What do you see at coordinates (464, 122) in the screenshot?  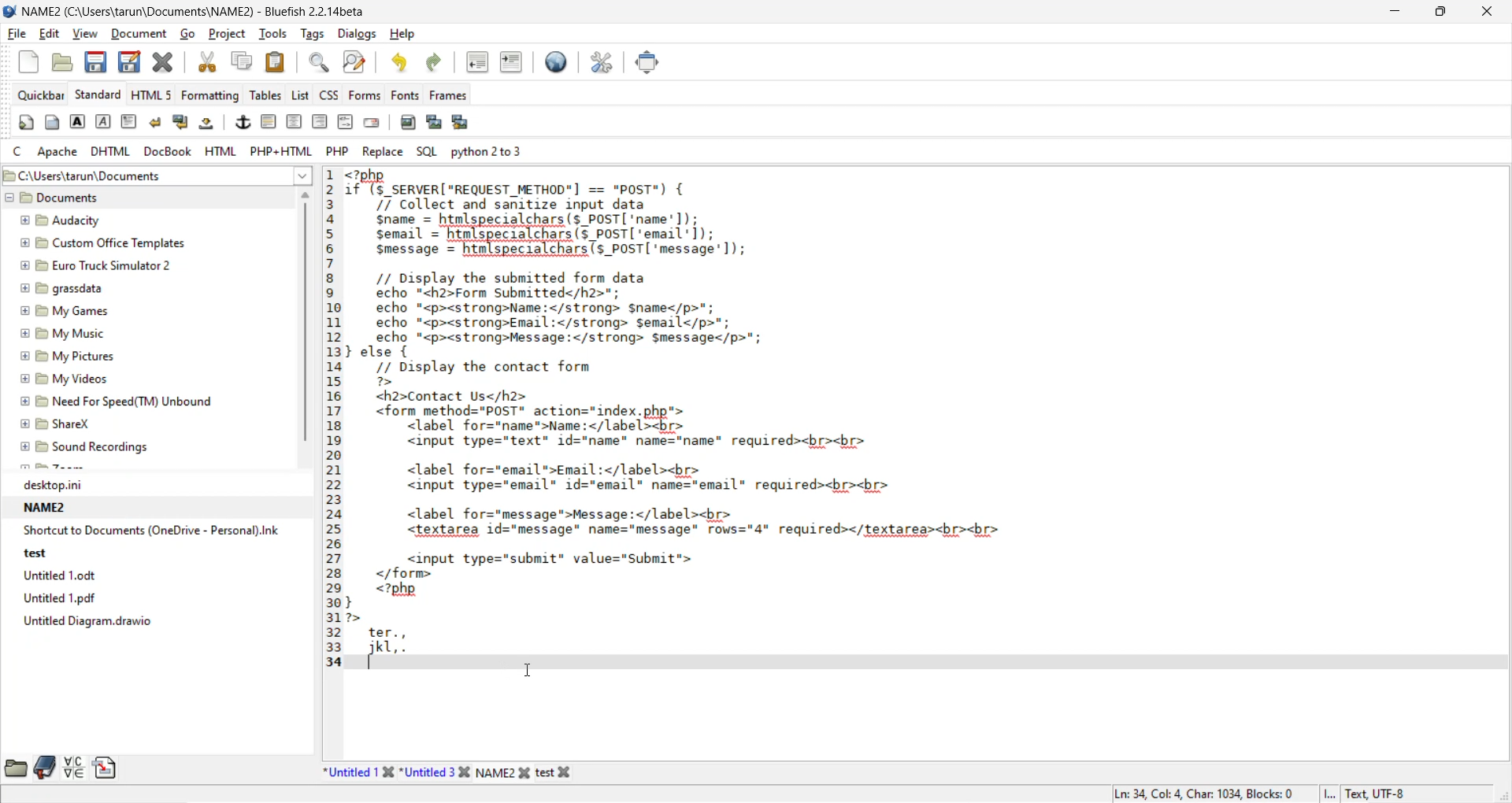 I see `insert multiple thumbnail` at bounding box center [464, 122].